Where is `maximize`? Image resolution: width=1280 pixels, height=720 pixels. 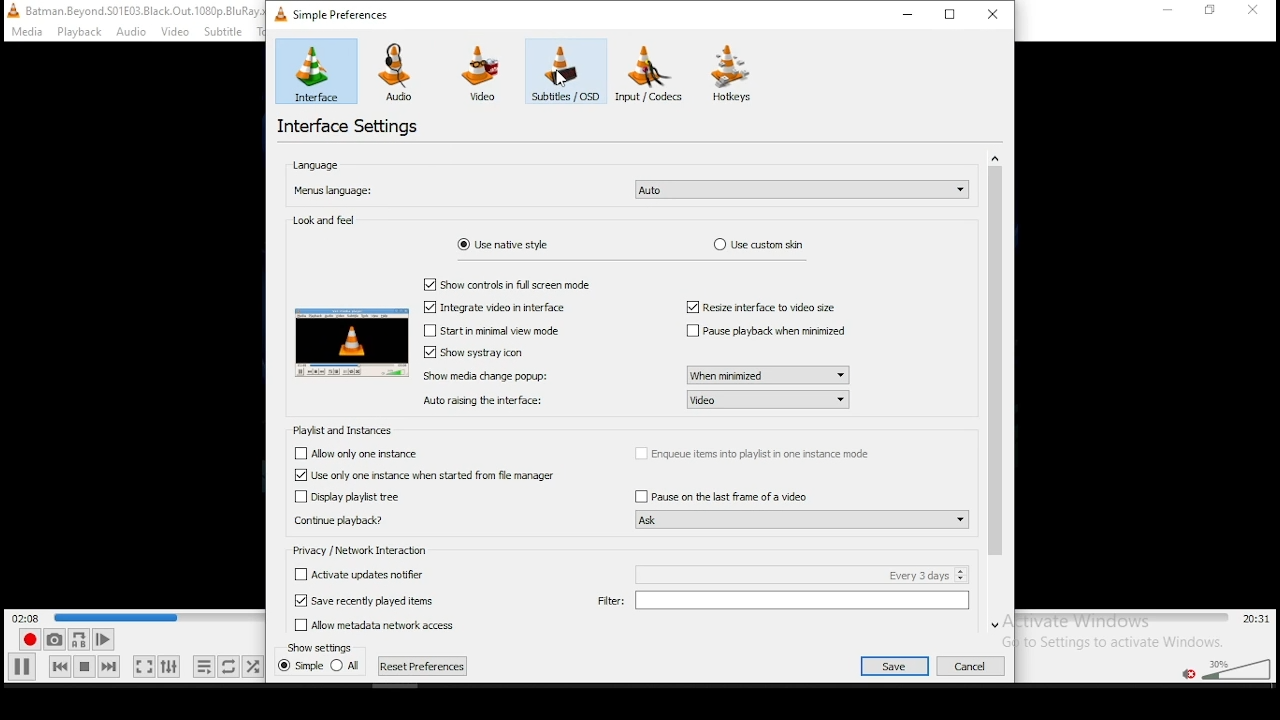
maximize is located at coordinates (952, 13).